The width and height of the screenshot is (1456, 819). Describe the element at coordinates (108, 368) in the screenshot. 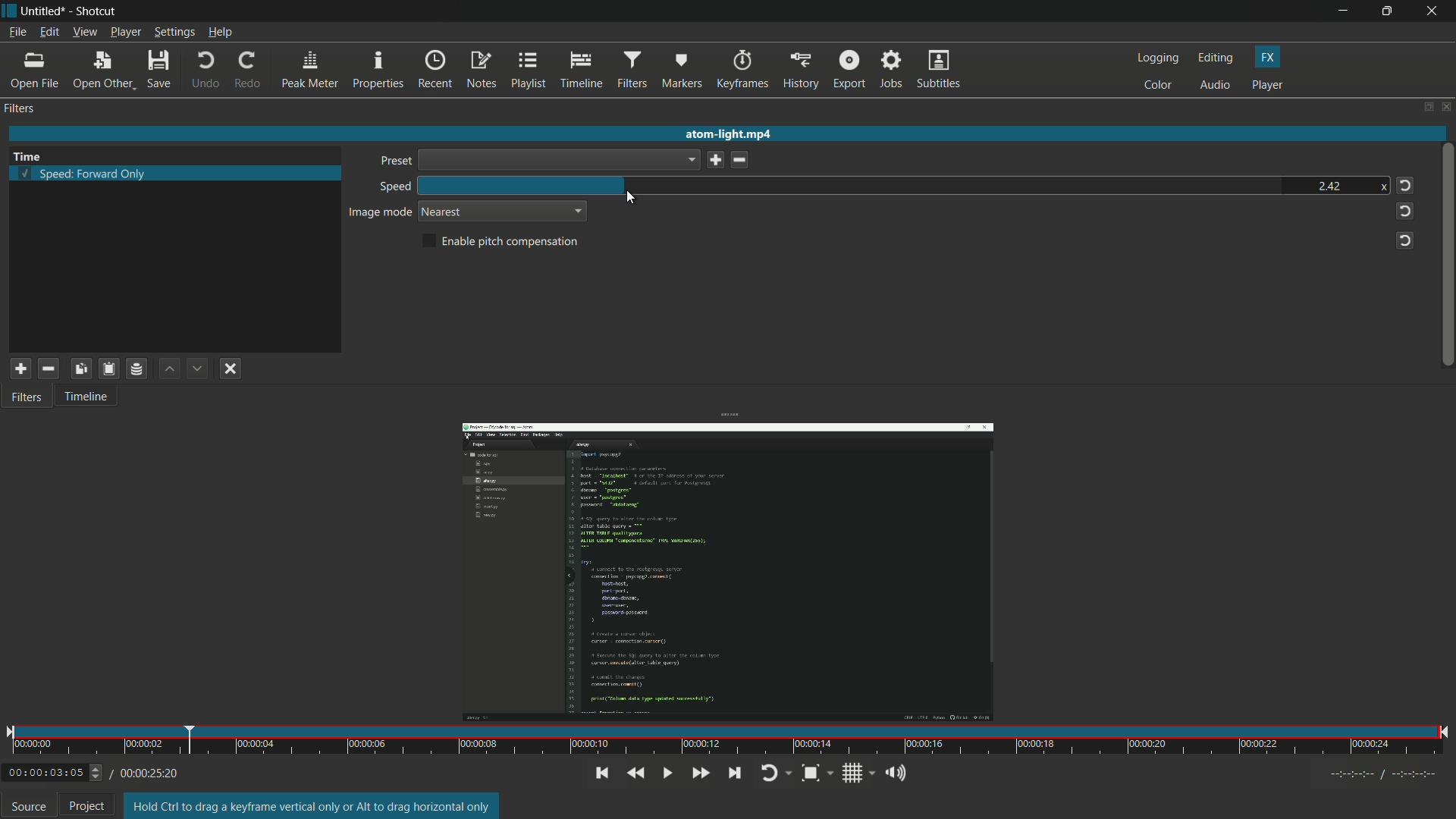

I see `paste filter` at that location.